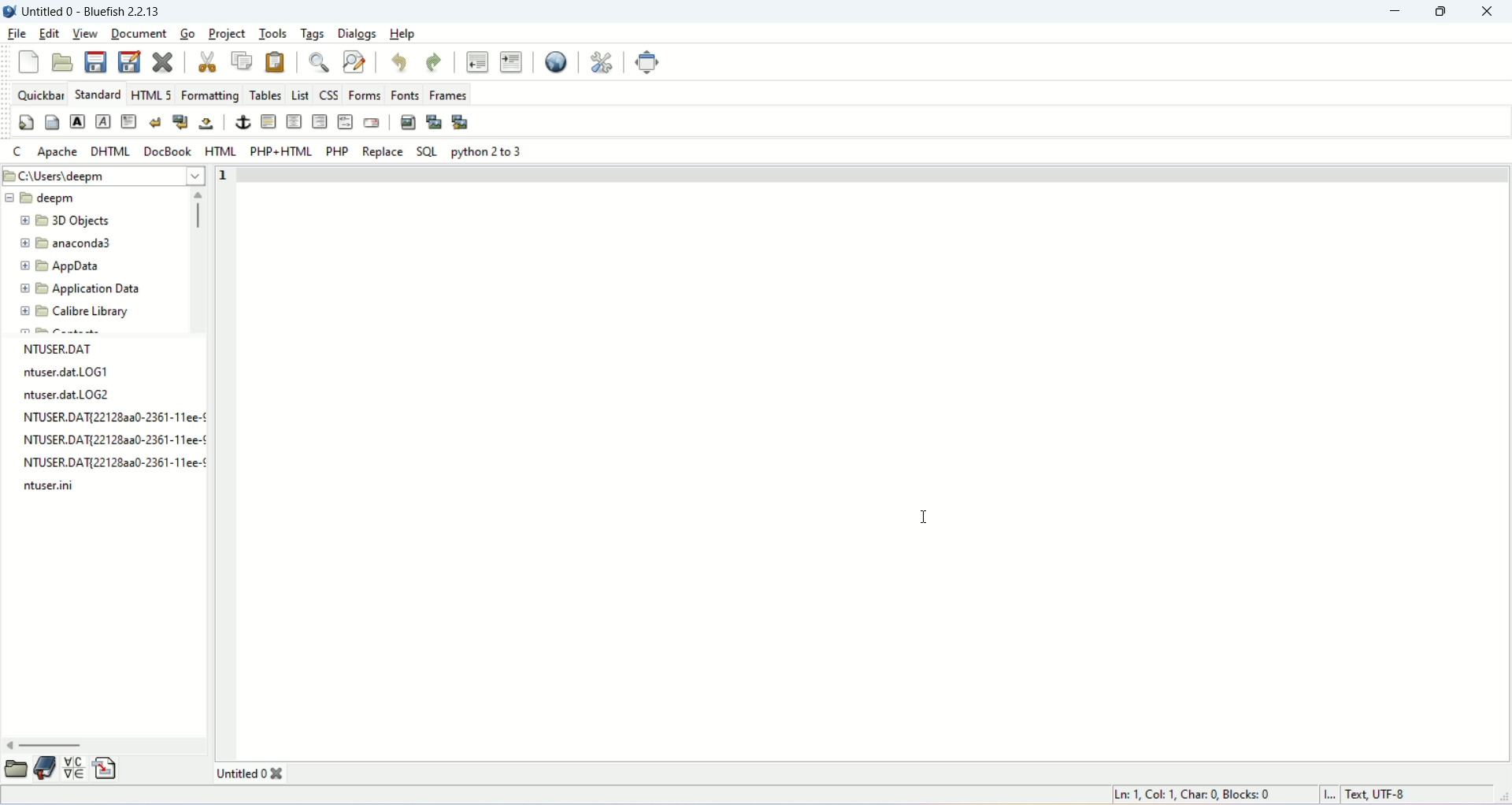  I want to click on formatting, so click(209, 94).